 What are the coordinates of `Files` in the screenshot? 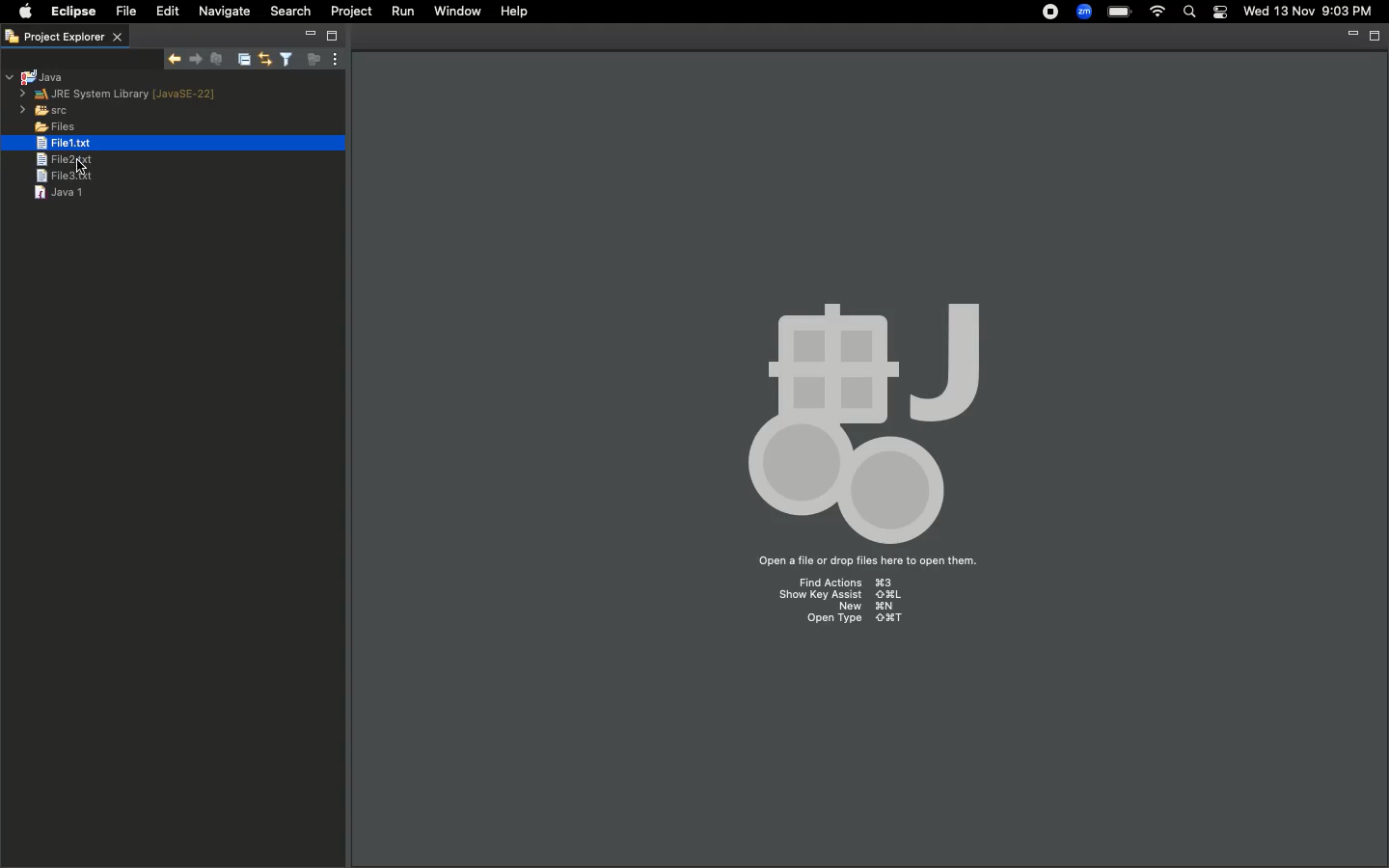 It's located at (43, 125).